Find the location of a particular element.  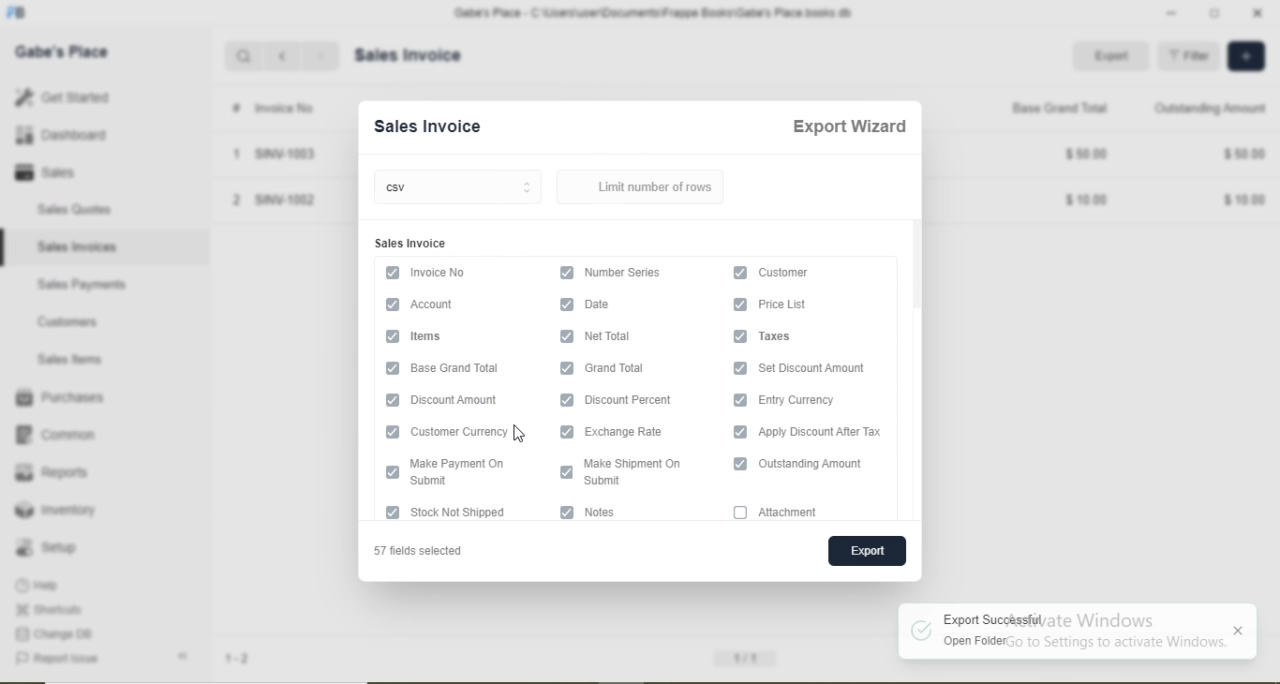

Reports is located at coordinates (51, 470).